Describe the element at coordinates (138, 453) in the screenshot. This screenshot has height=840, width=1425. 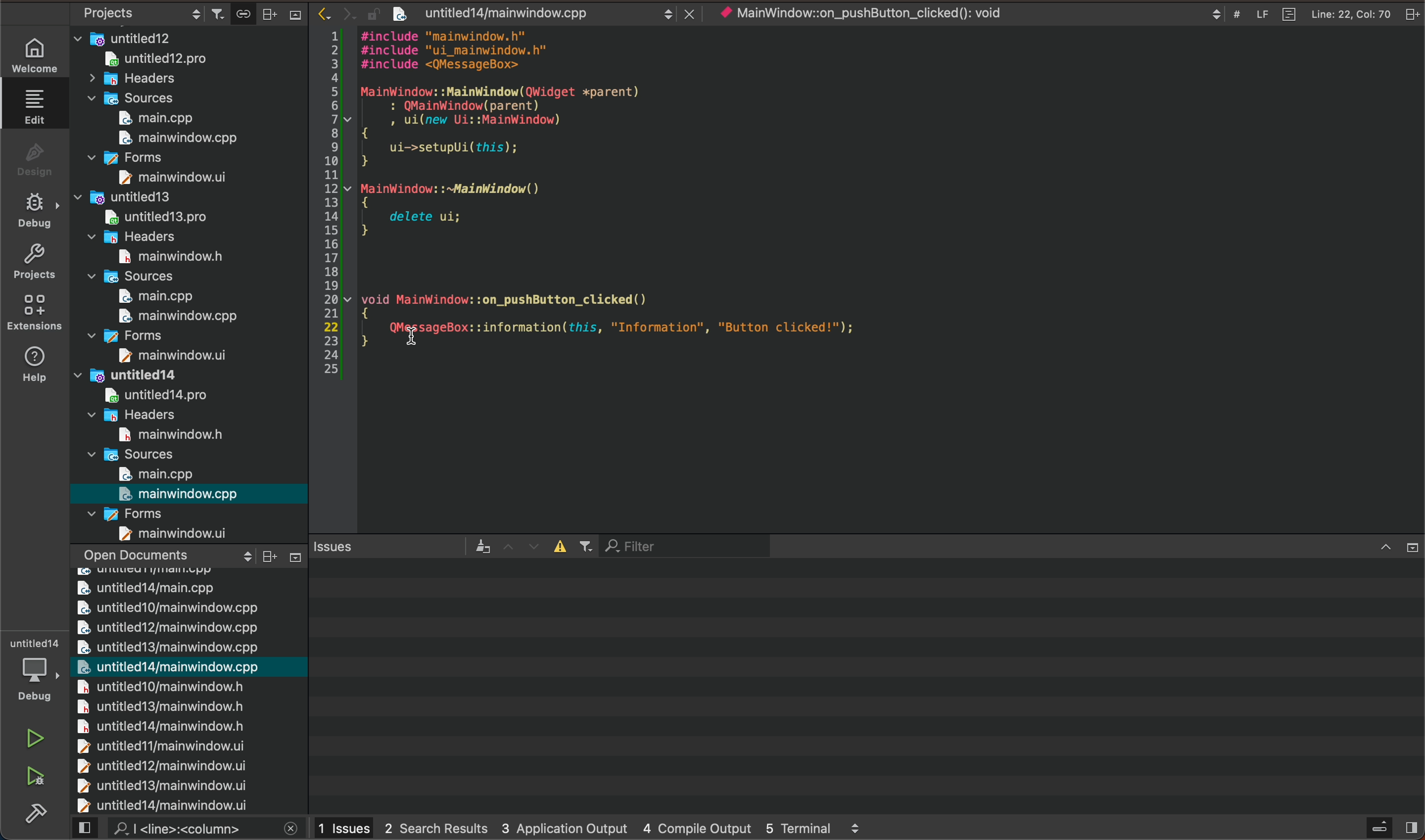
I see `sources` at that location.